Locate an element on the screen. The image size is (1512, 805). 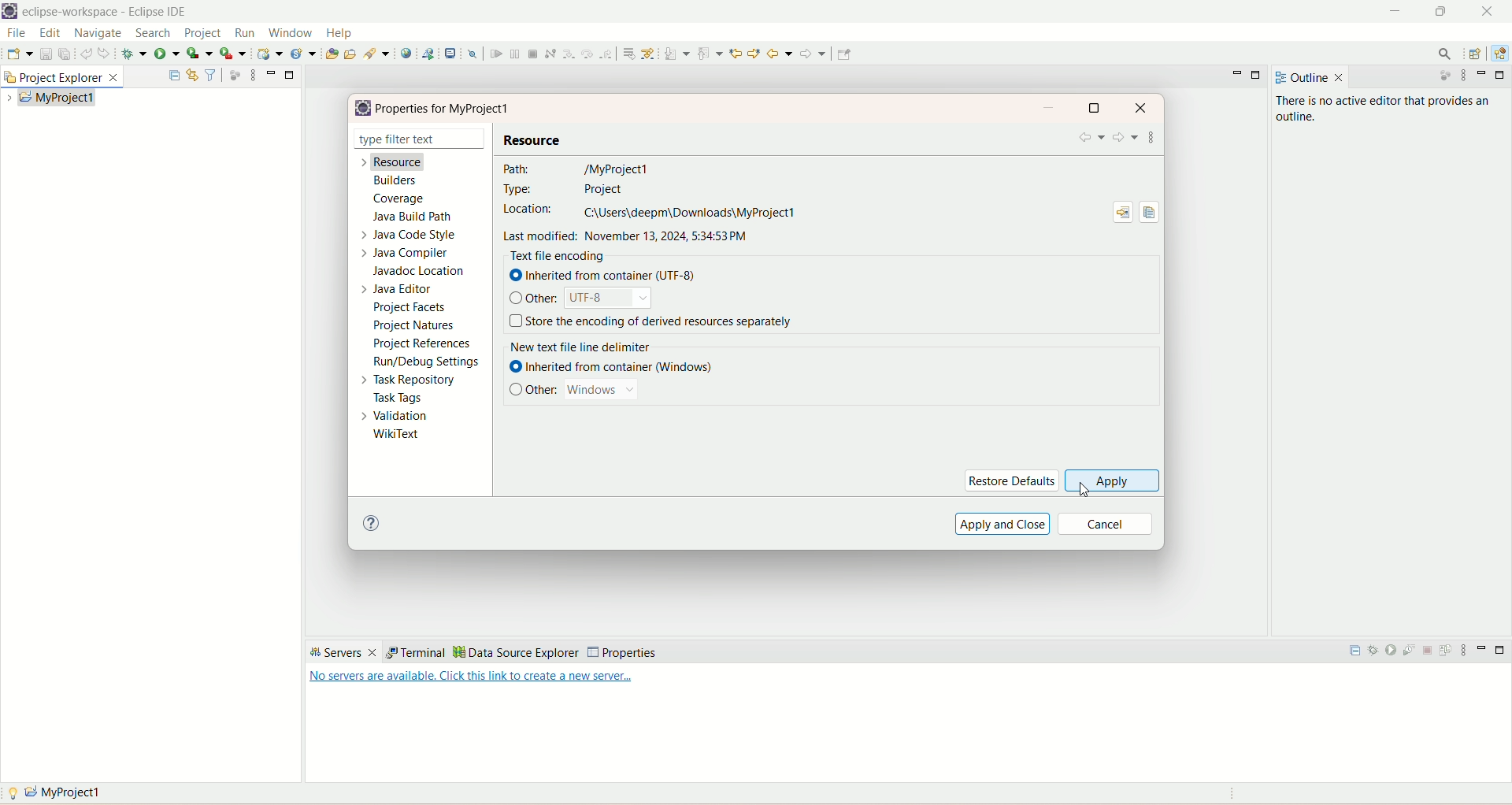
terminal is located at coordinates (413, 652).